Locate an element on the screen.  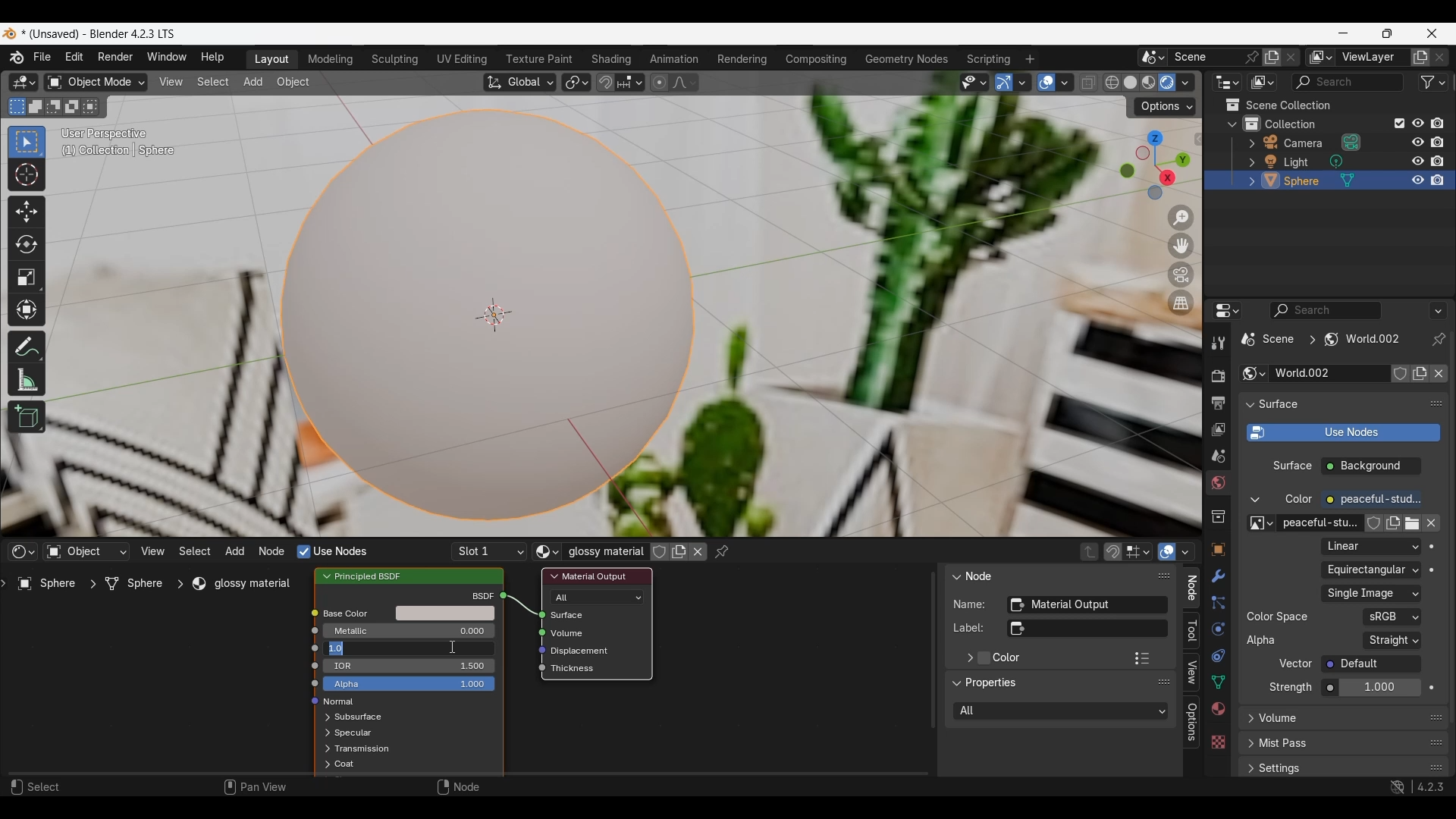
Unique node identifier is located at coordinates (1087, 605).